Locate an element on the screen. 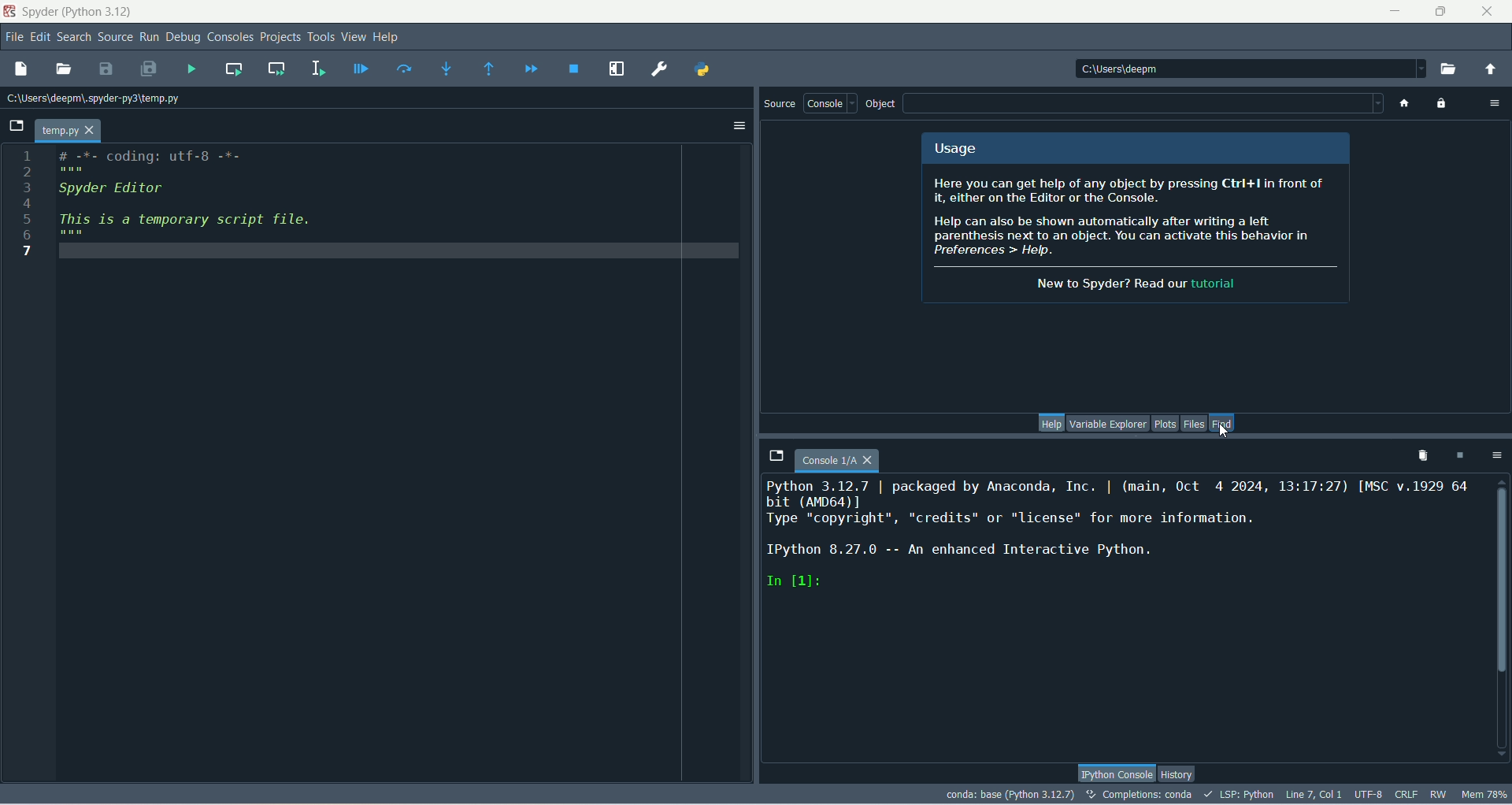  console is located at coordinates (829, 103).